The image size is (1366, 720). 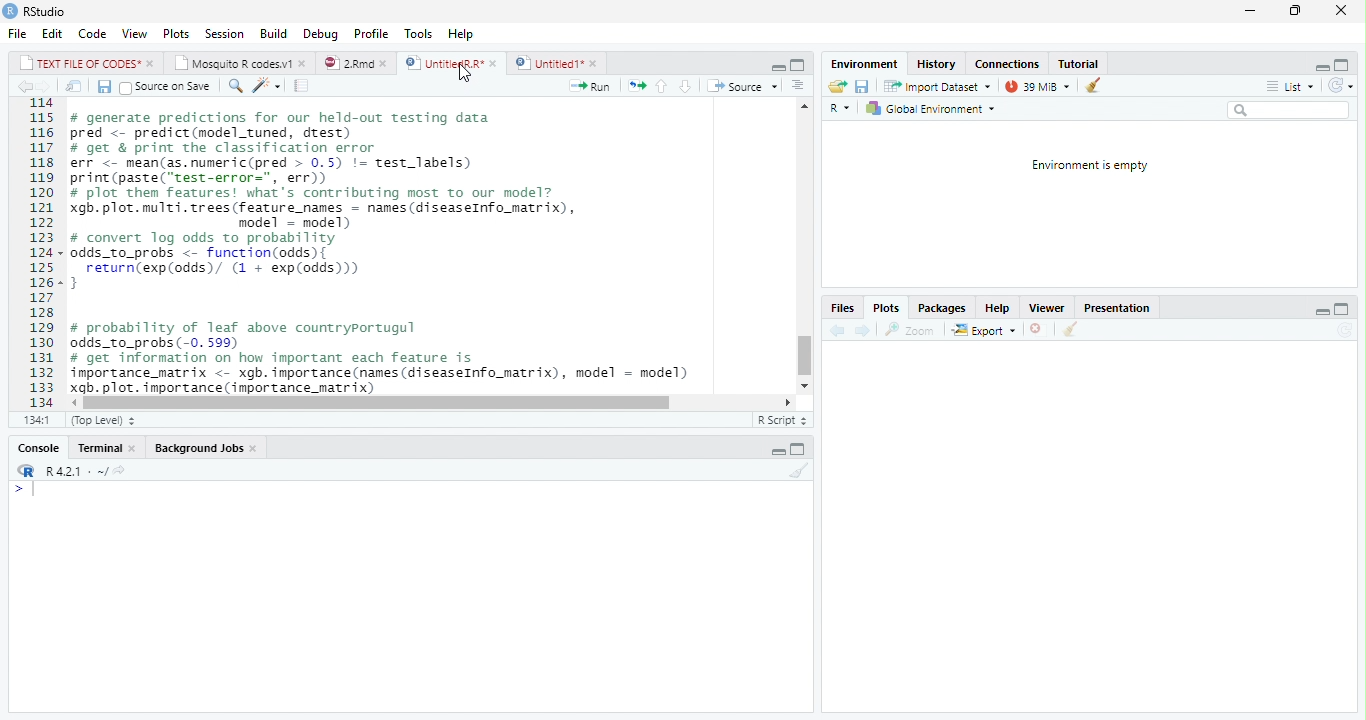 What do you see at coordinates (266, 84) in the screenshot?
I see `Coding Tools` at bounding box center [266, 84].